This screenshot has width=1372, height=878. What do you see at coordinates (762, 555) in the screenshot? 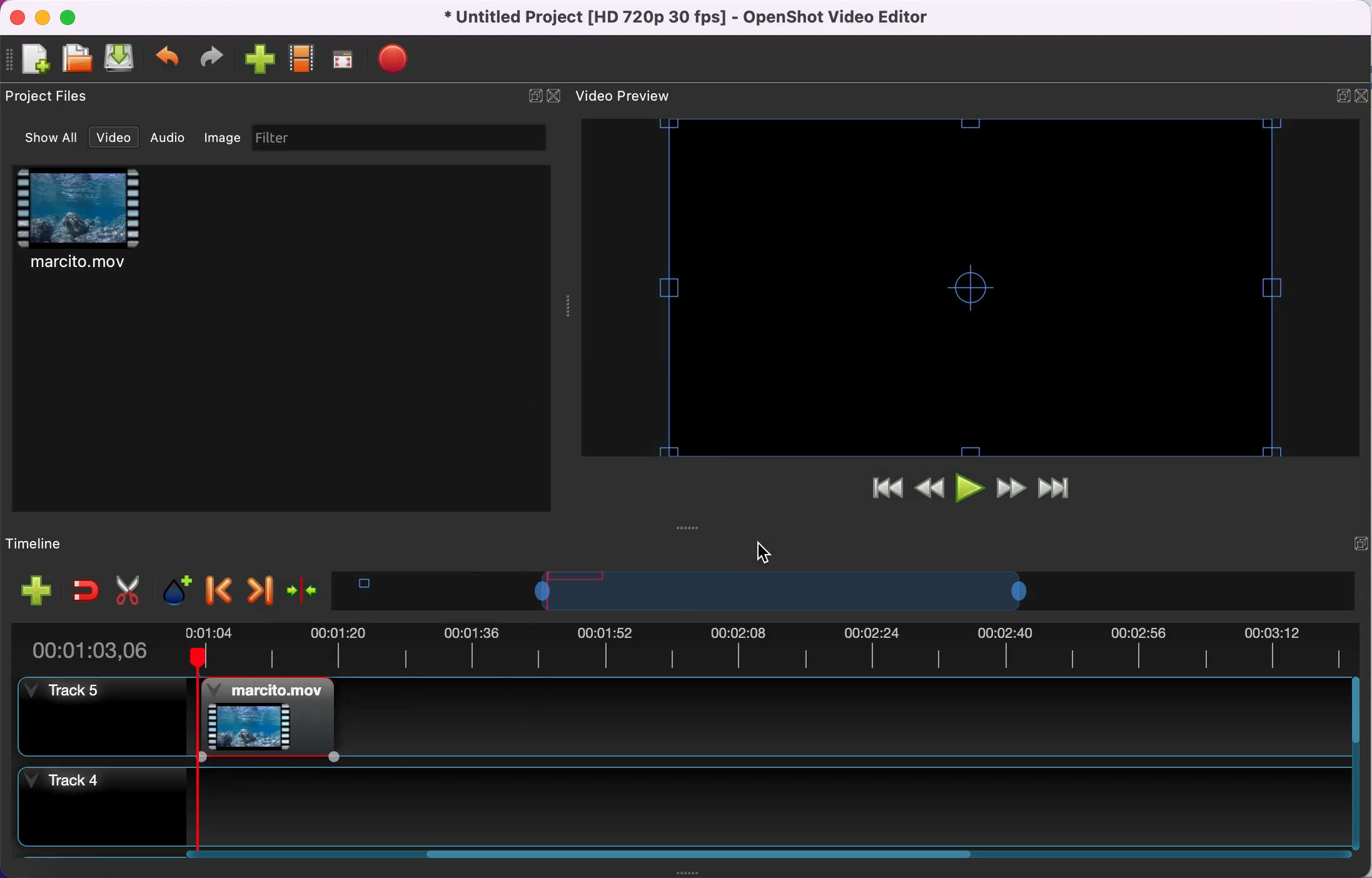
I see `Cursor` at bounding box center [762, 555].